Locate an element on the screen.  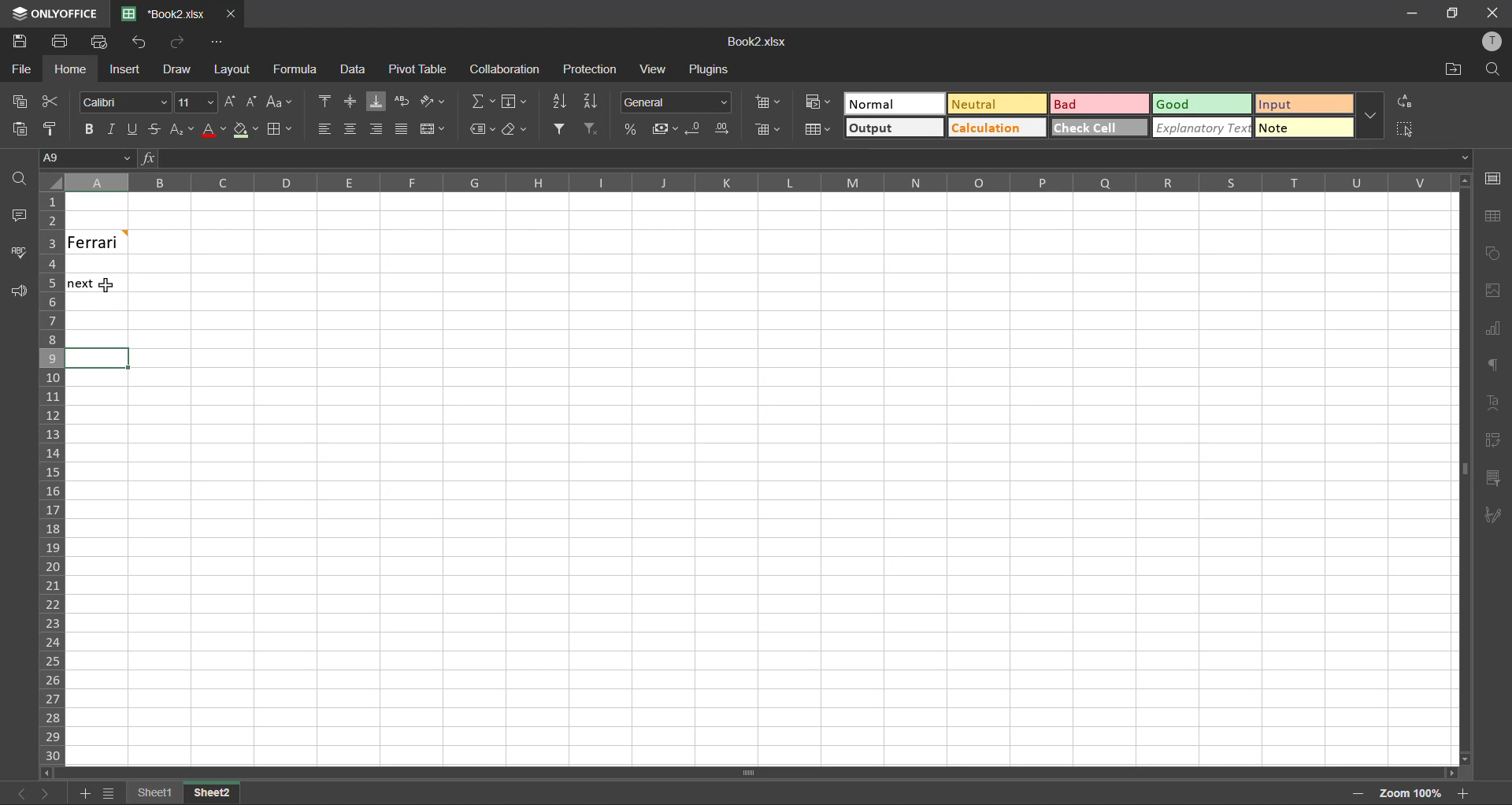
font size is located at coordinates (195, 101).